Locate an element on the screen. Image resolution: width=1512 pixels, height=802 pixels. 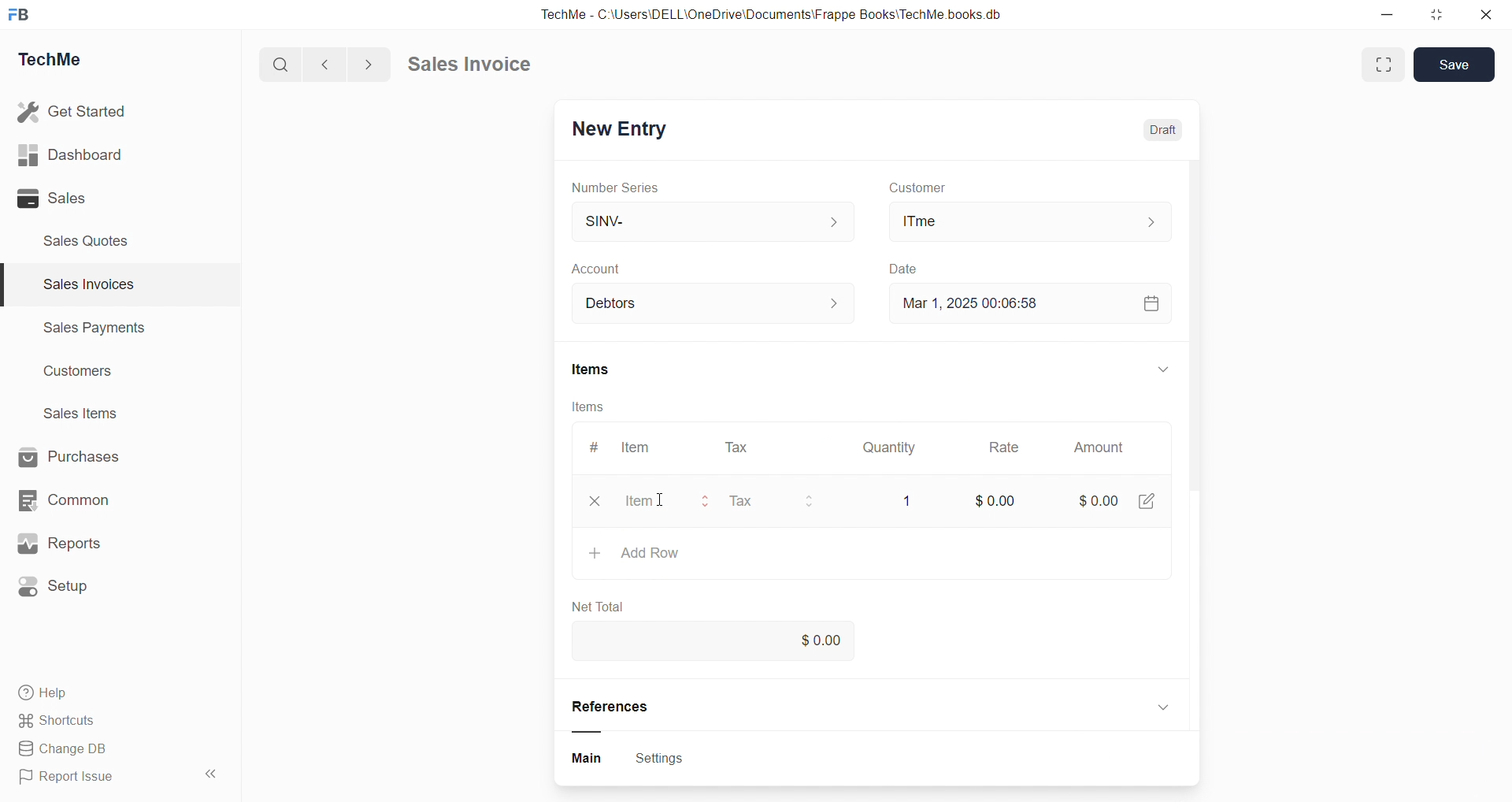
Close is located at coordinates (1490, 18).